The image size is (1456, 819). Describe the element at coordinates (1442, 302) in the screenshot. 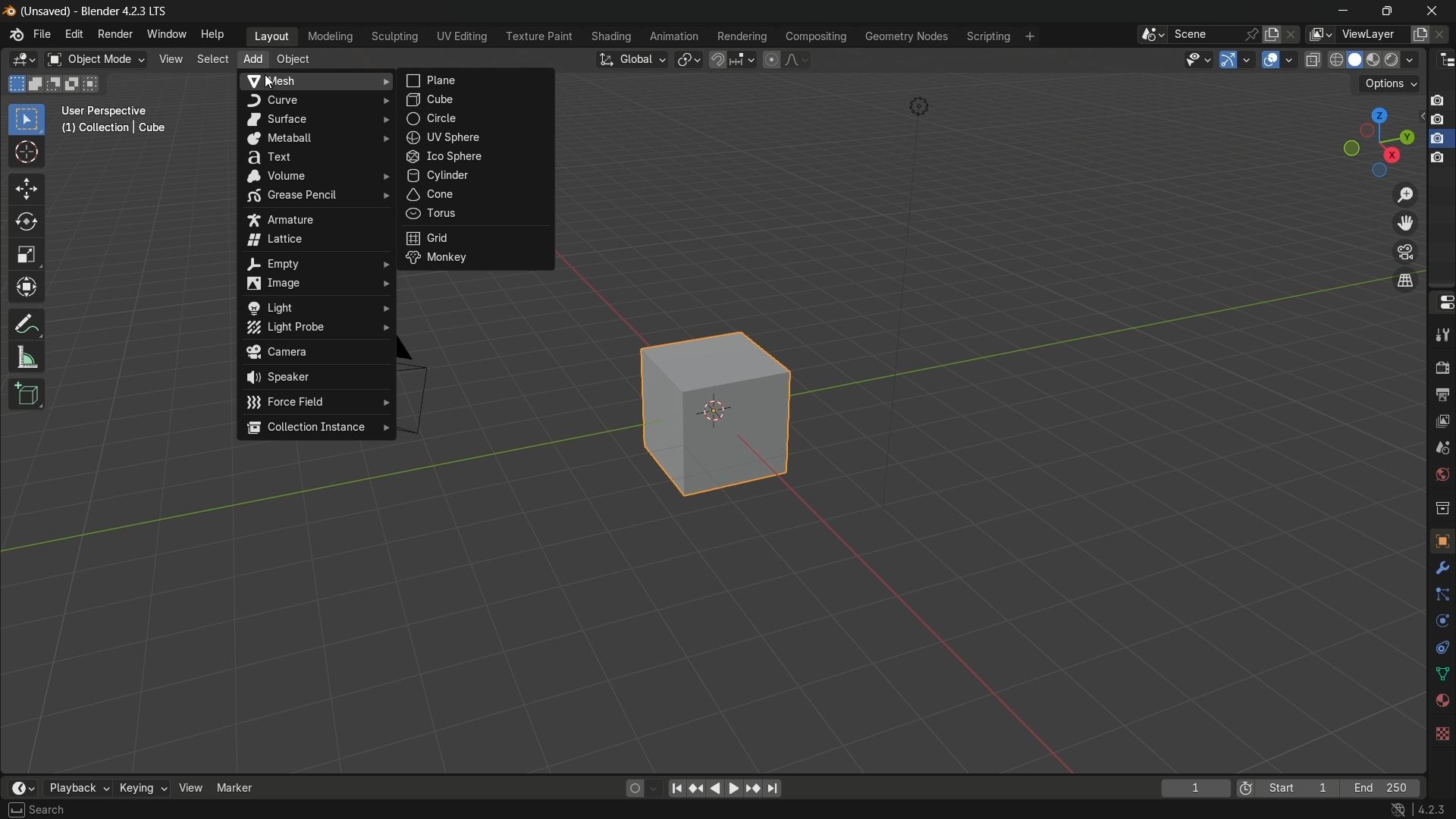

I see `properties` at that location.